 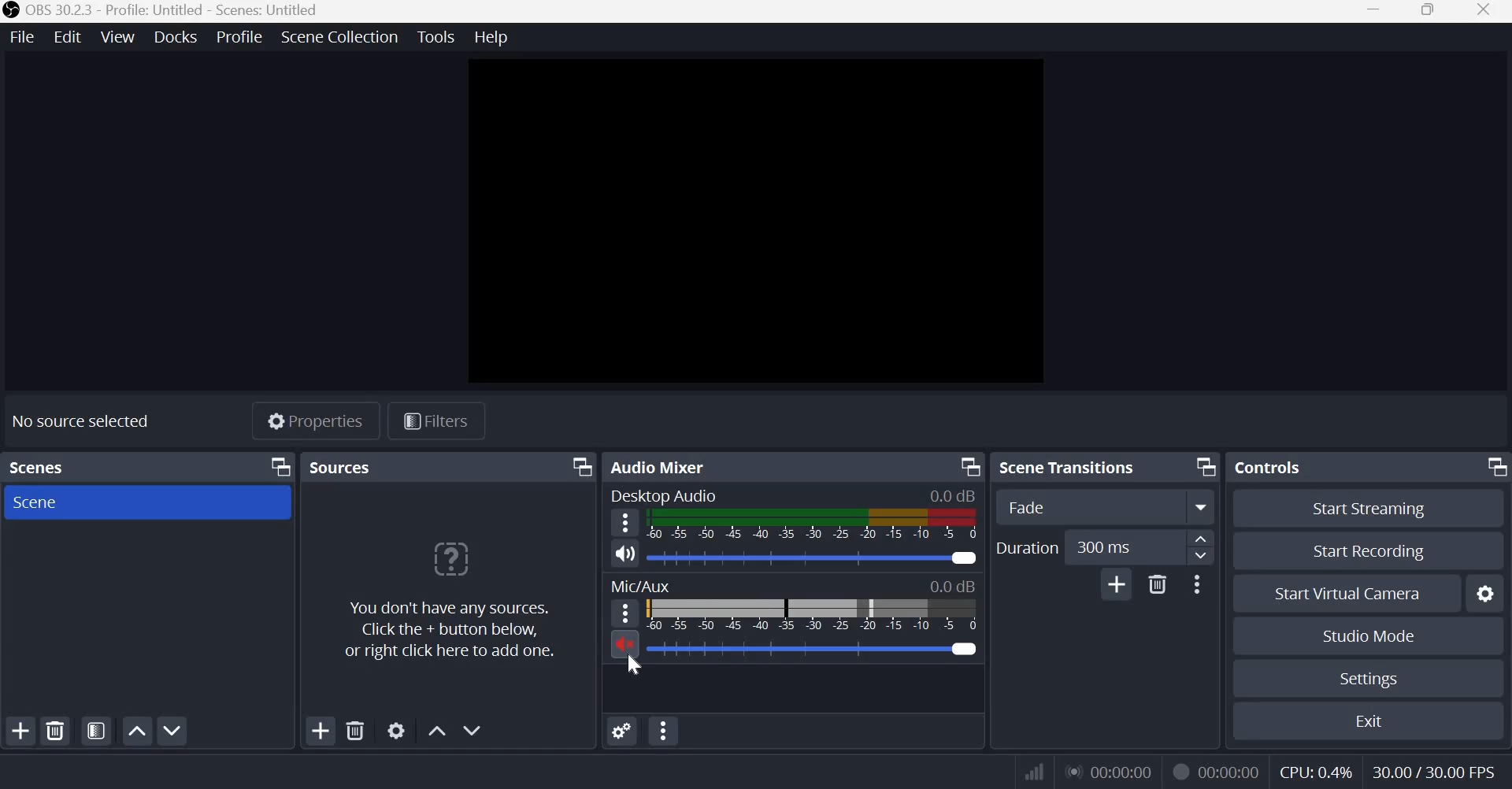 I want to click on Filters, so click(x=433, y=420).